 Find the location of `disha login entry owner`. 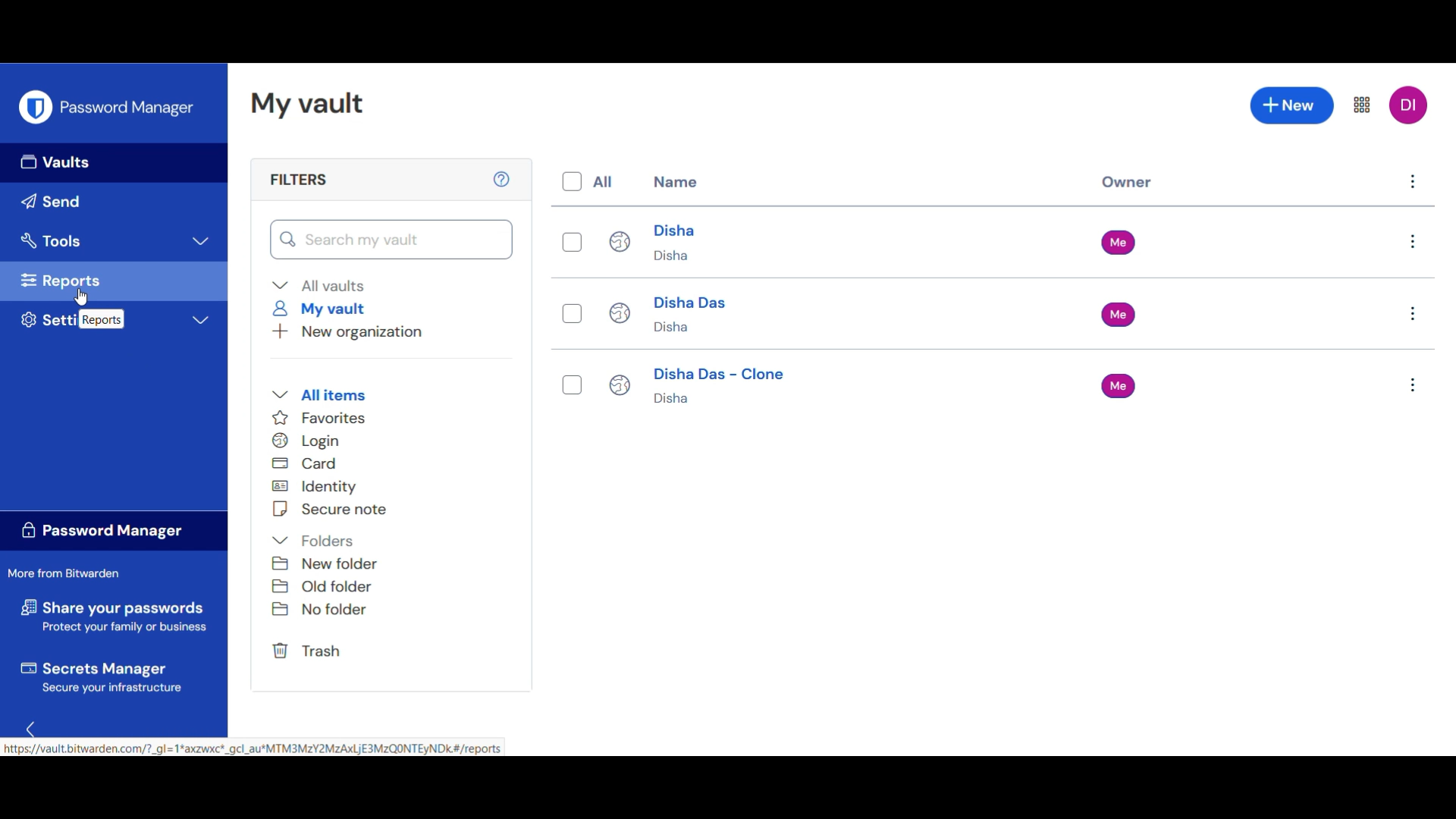

disha login entry owner is located at coordinates (1122, 241).